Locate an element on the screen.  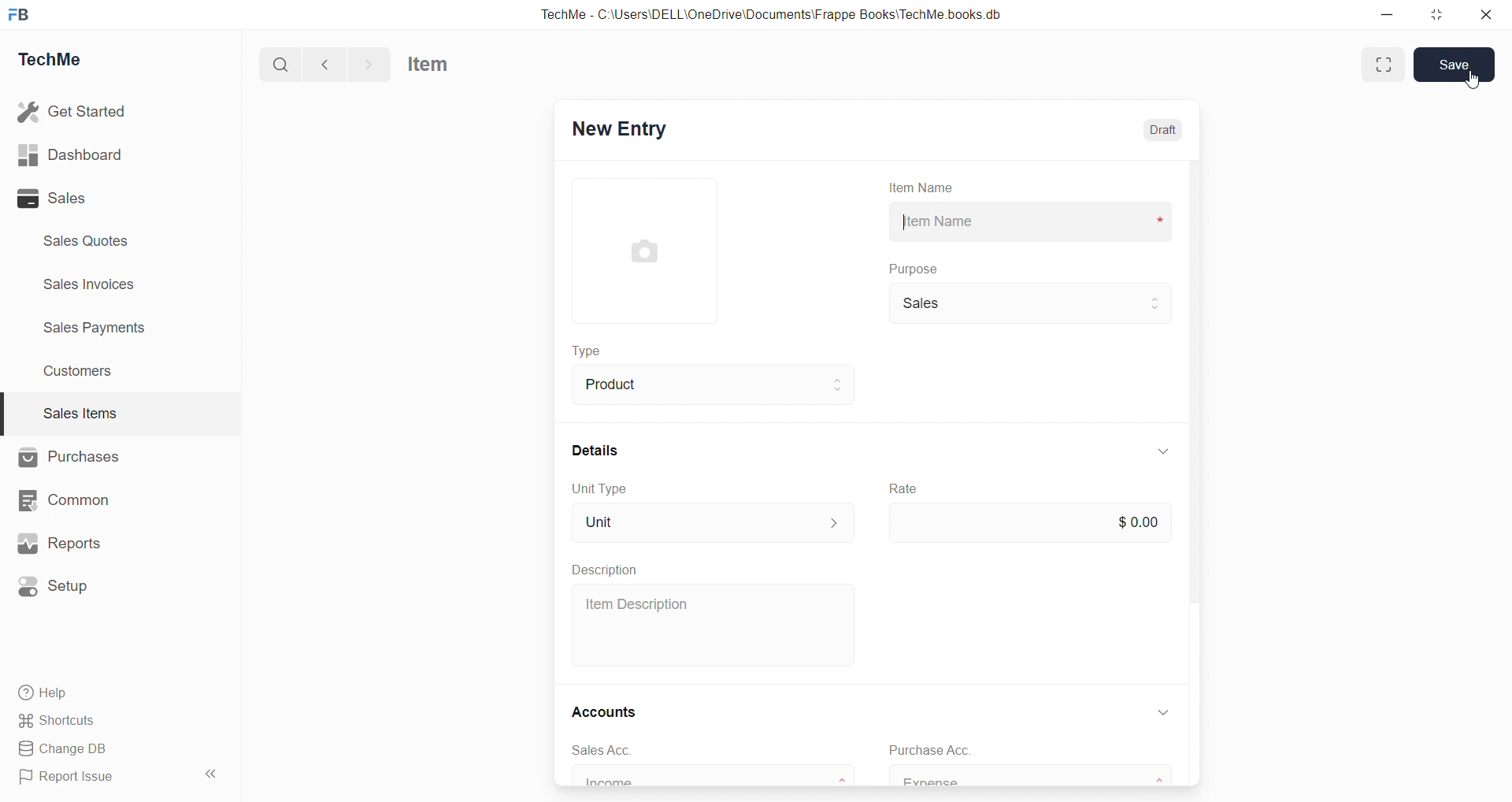
Sales Payments is located at coordinates (96, 328).